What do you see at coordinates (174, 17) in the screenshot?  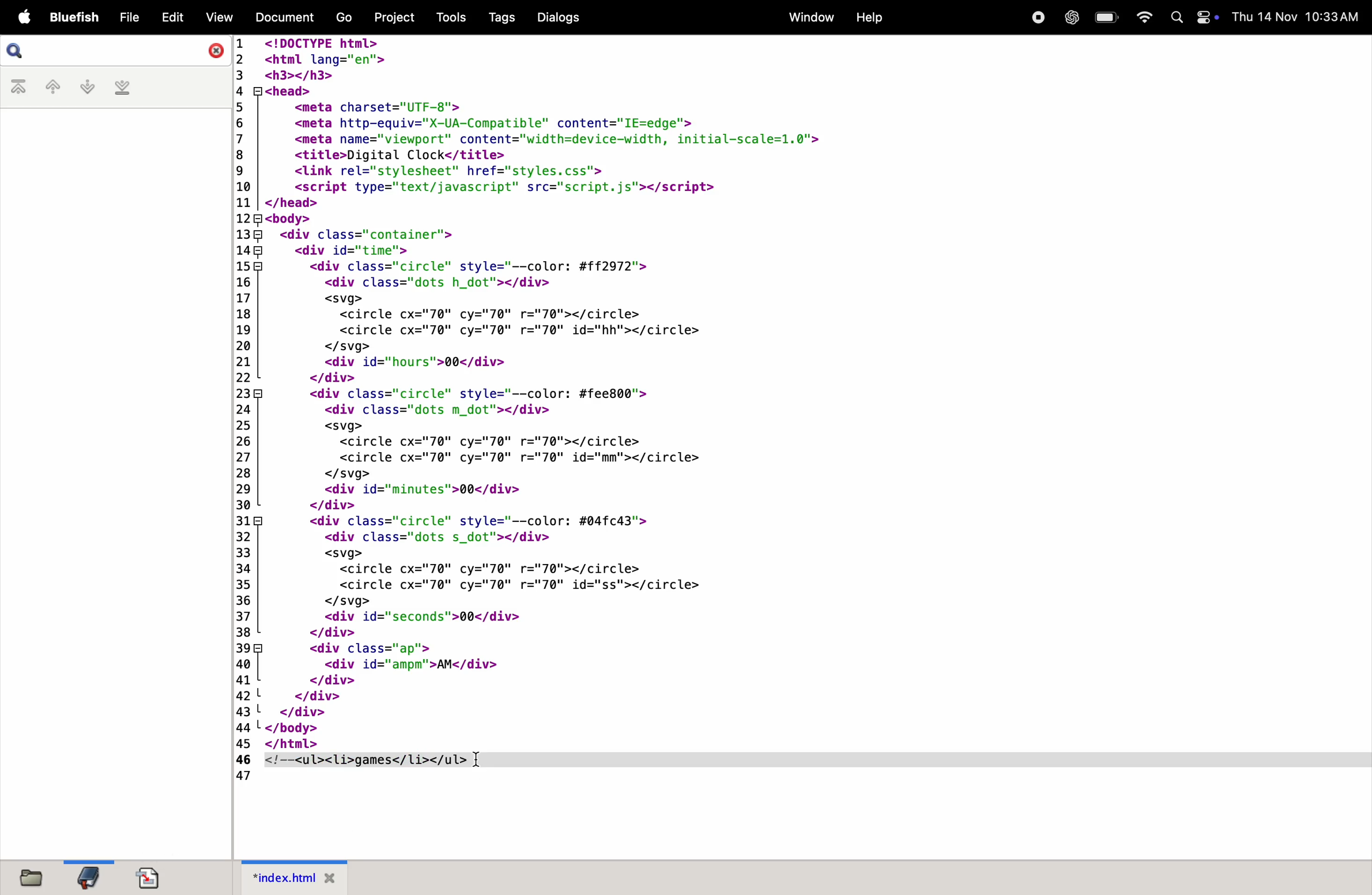 I see `Edit` at bounding box center [174, 17].